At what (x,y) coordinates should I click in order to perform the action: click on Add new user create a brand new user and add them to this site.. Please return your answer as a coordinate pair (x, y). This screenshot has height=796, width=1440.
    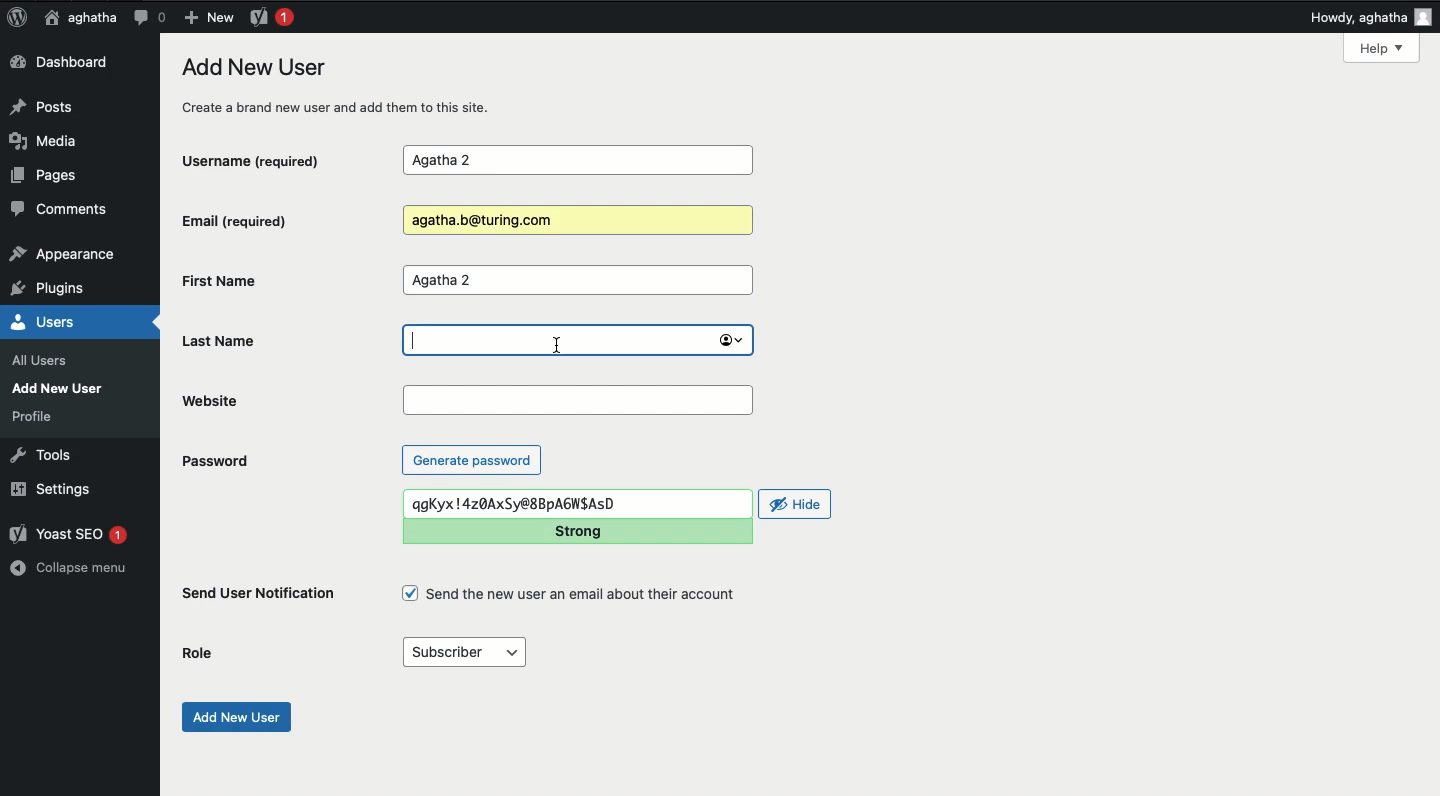
    Looking at the image, I should click on (347, 86).